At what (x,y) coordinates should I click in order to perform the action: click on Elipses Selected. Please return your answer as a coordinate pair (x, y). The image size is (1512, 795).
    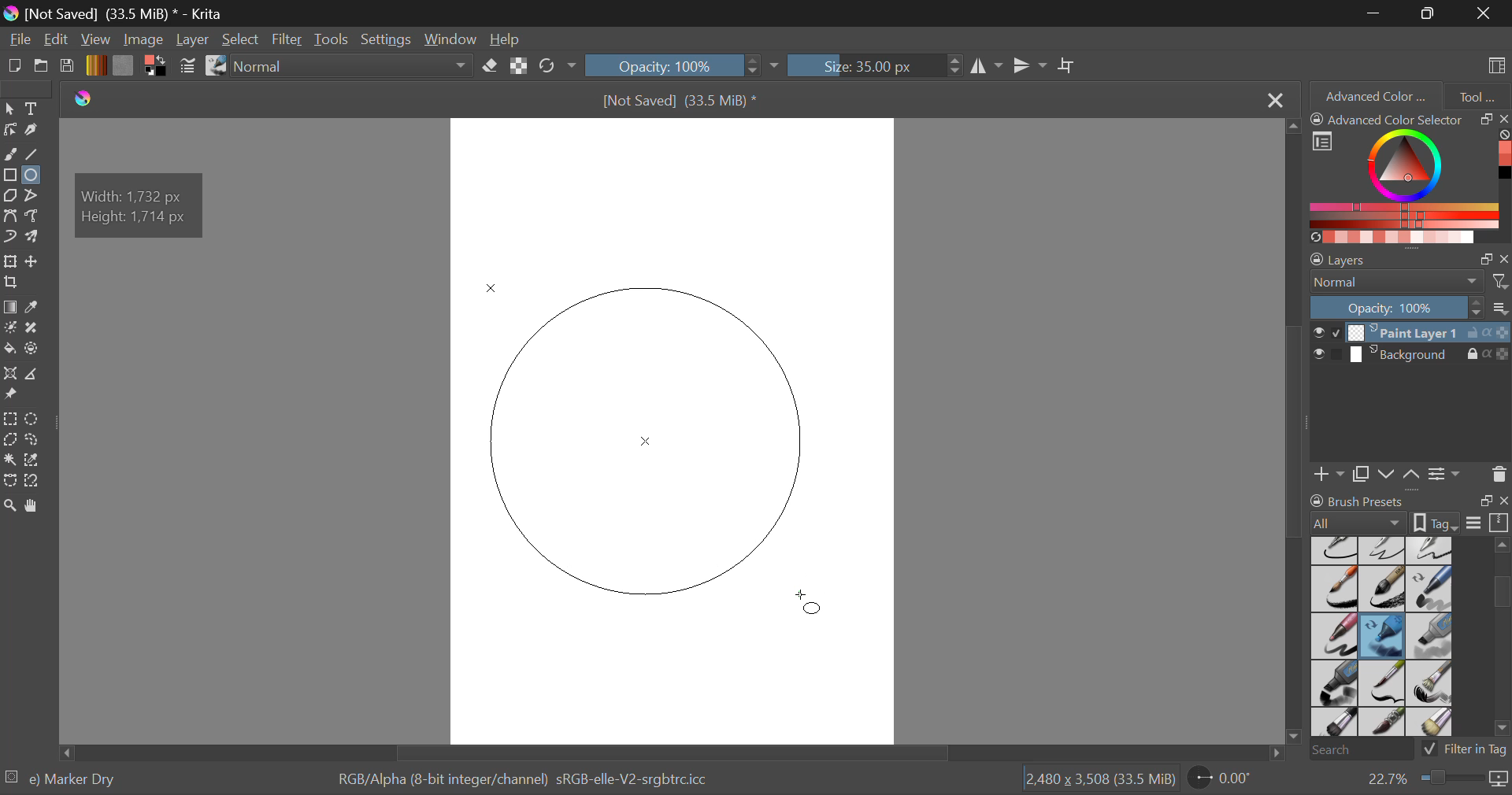
    Looking at the image, I should click on (35, 174).